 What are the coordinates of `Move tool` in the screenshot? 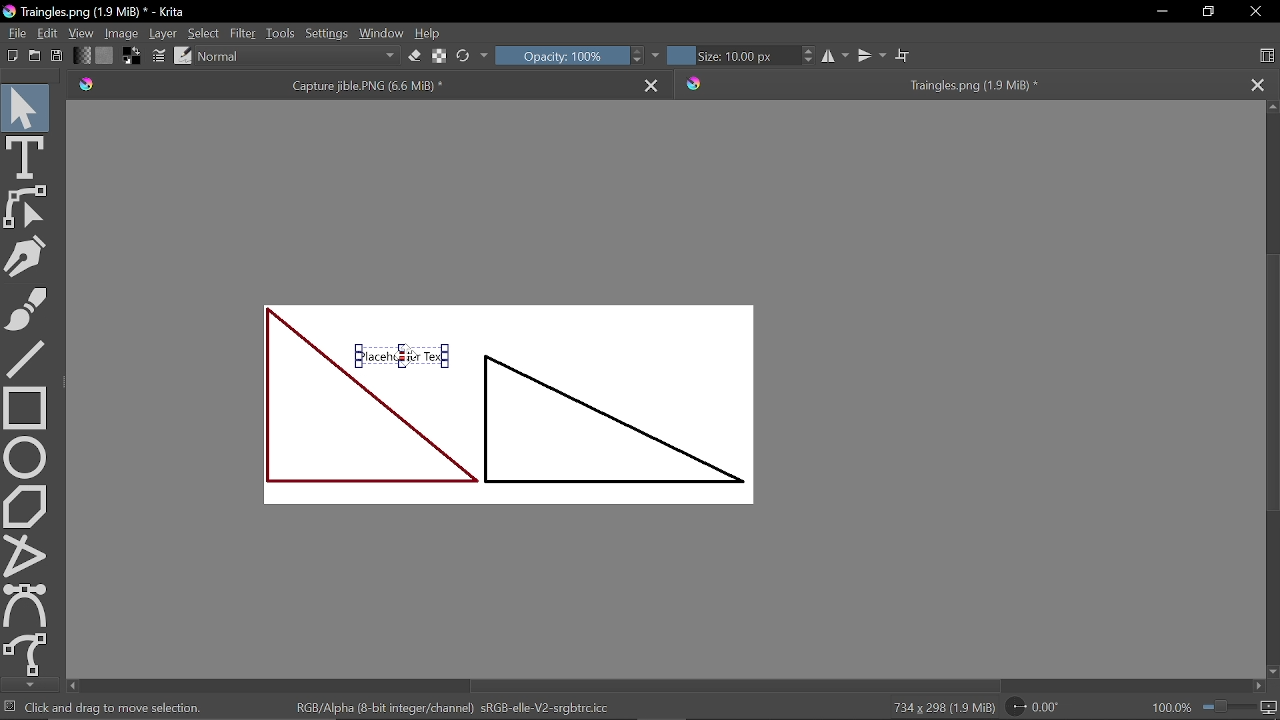 It's located at (25, 104).